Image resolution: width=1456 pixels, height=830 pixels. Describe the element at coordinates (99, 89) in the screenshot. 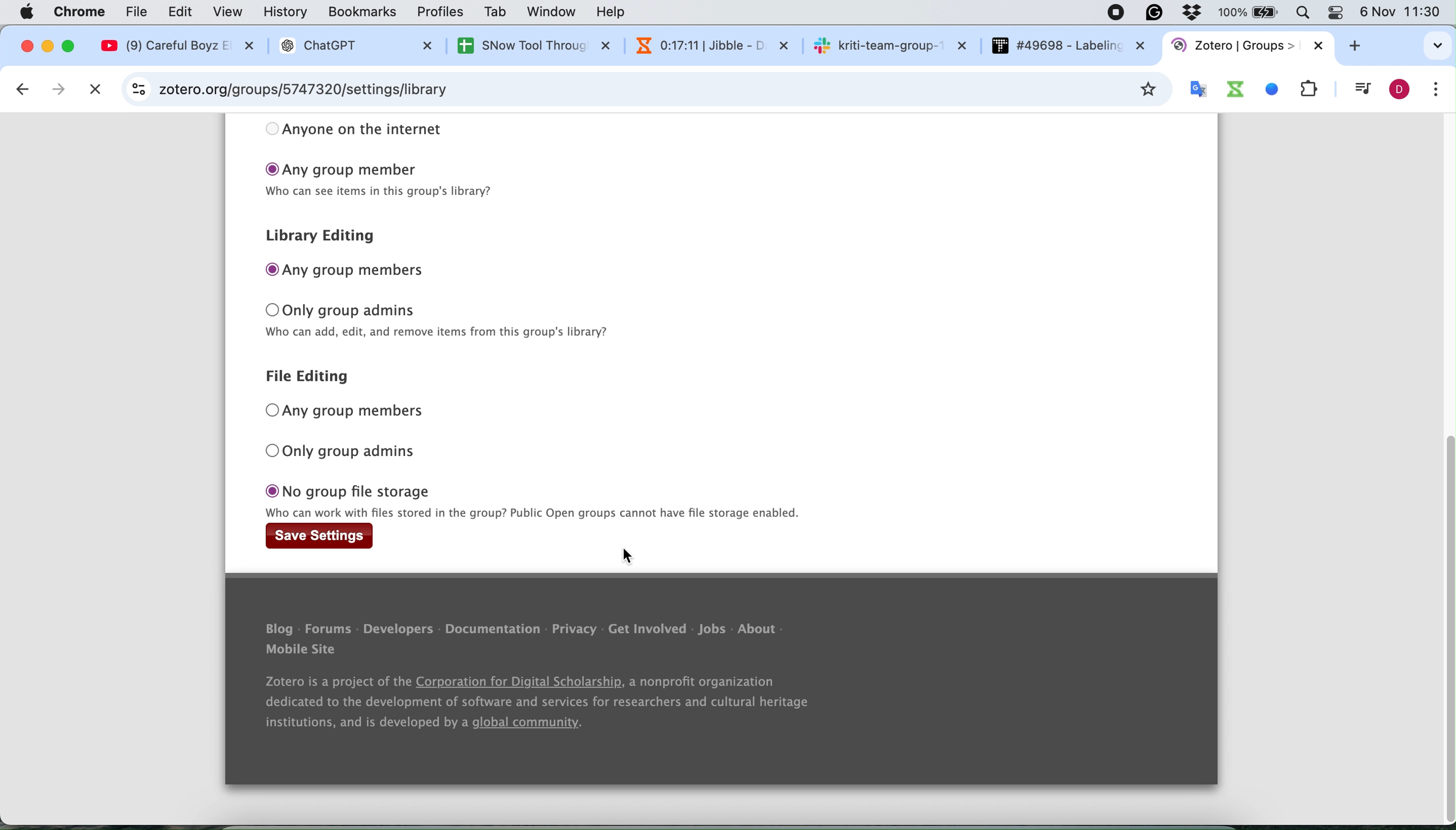

I see `cancel` at that location.